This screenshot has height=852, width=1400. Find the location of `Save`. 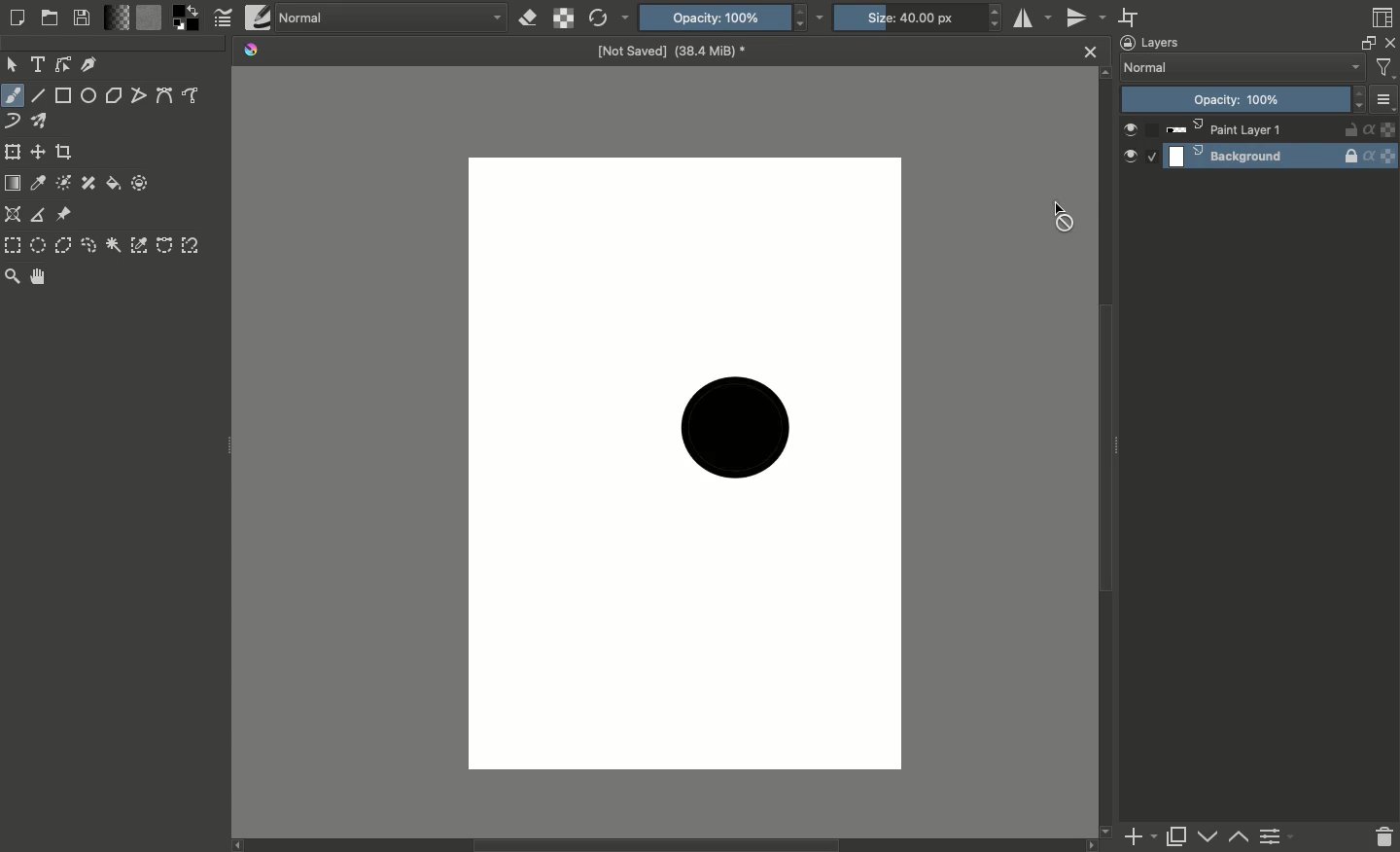

Save is located at coordinates (81, 18).